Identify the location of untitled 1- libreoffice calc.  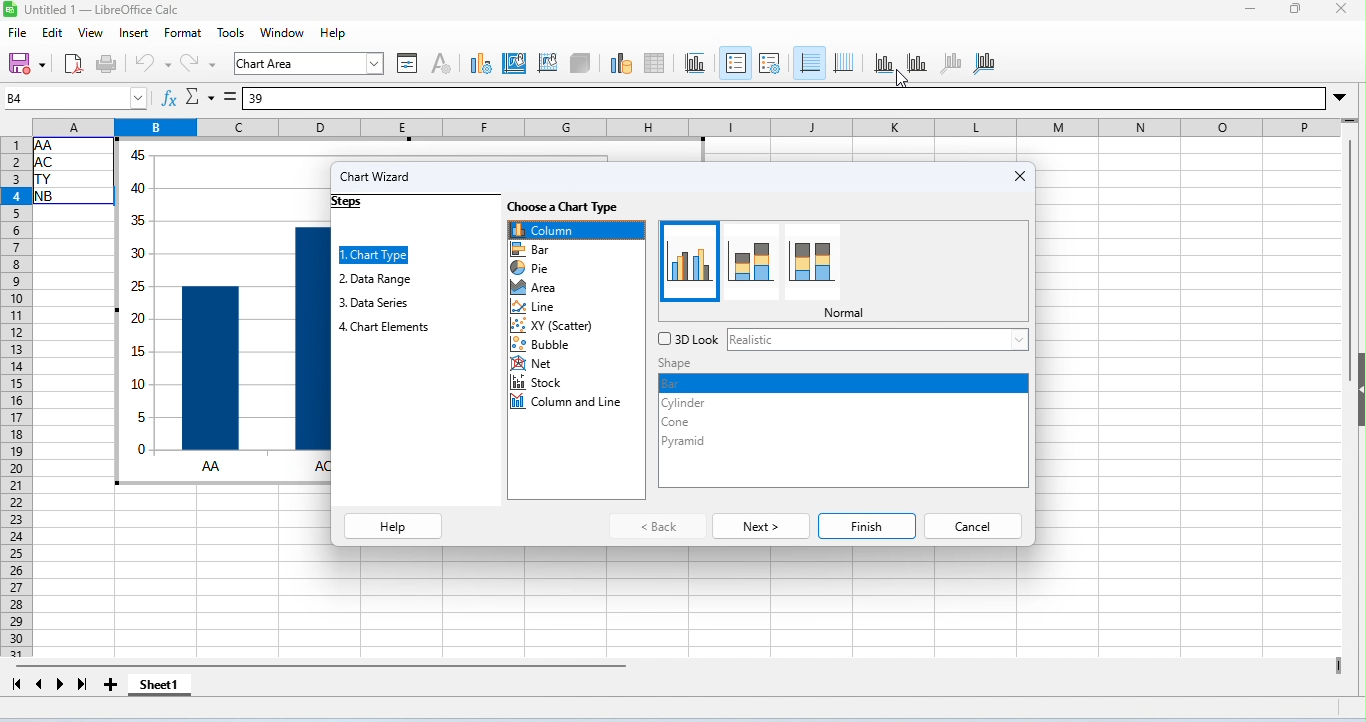
(92, 11).